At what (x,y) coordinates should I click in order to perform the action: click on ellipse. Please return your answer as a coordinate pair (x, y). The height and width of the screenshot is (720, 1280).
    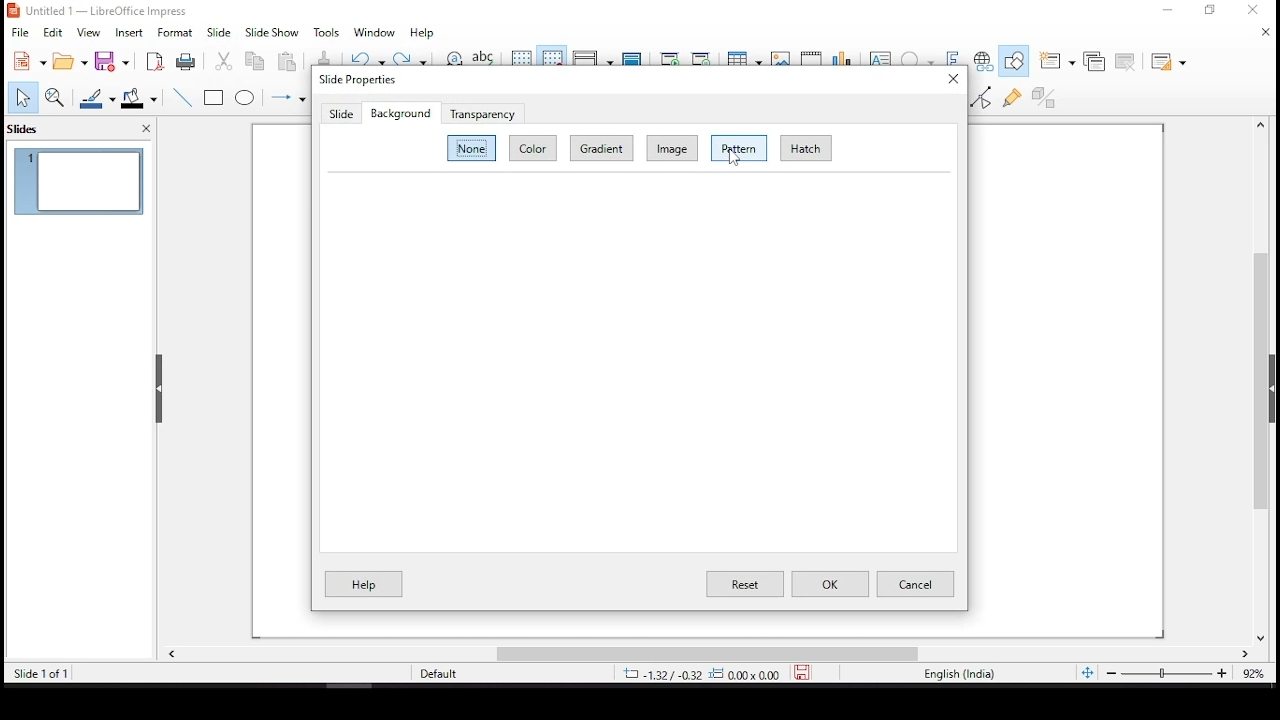
    Looking at the image, I should click on (247, 98).